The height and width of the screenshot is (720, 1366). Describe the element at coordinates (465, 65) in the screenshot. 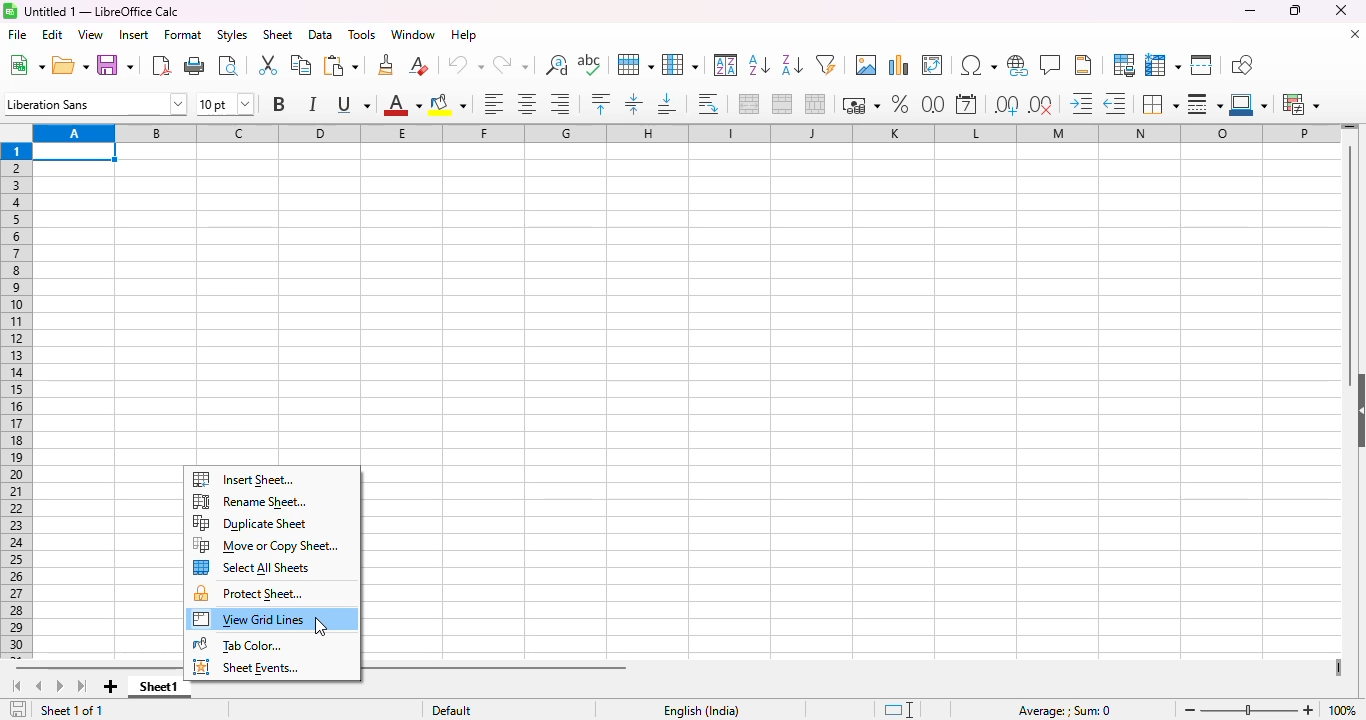

I see `undo` at that location.